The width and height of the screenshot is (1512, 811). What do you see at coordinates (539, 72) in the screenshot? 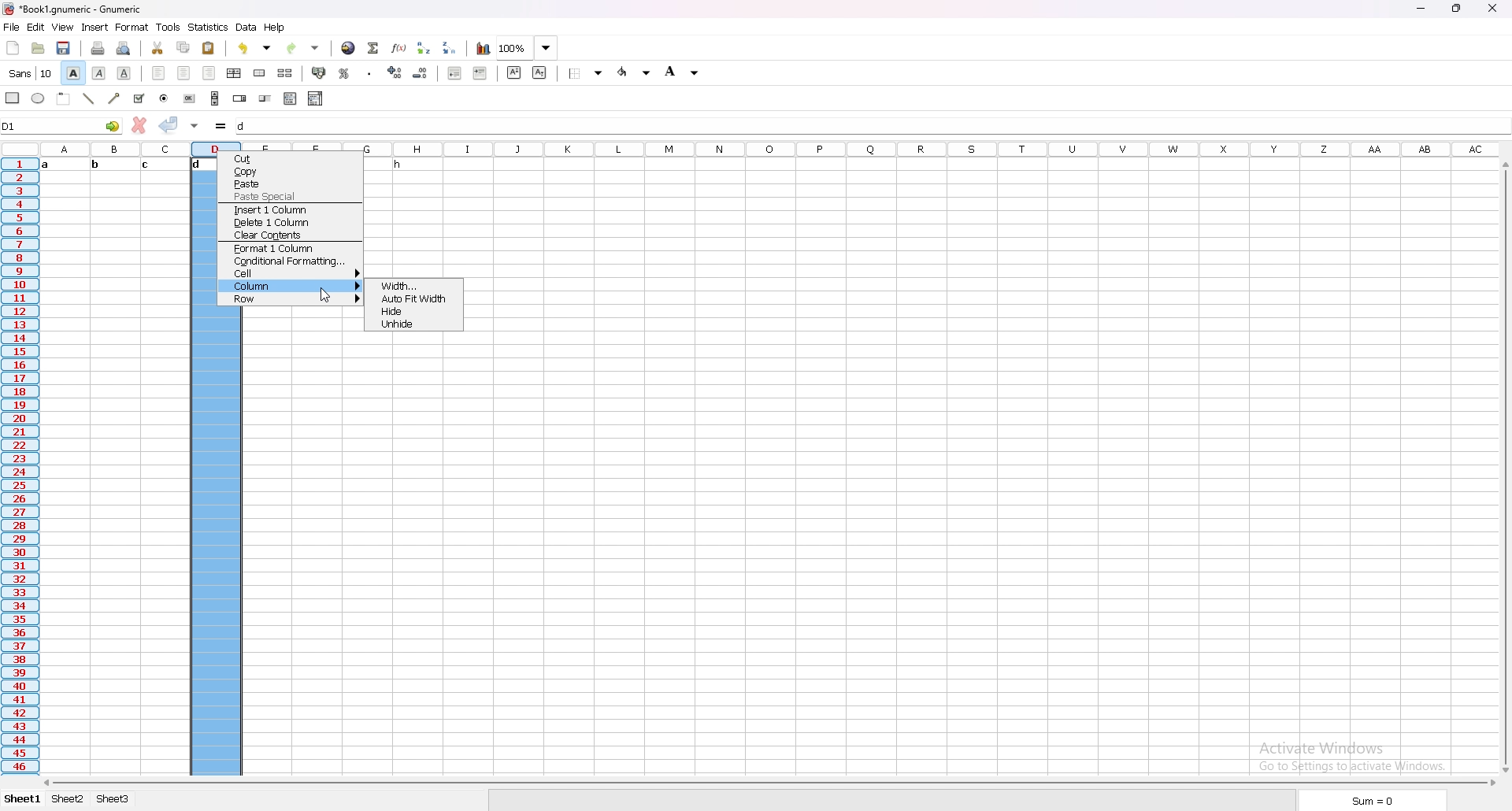
I see `subscript` at bounding box center [539, 72].